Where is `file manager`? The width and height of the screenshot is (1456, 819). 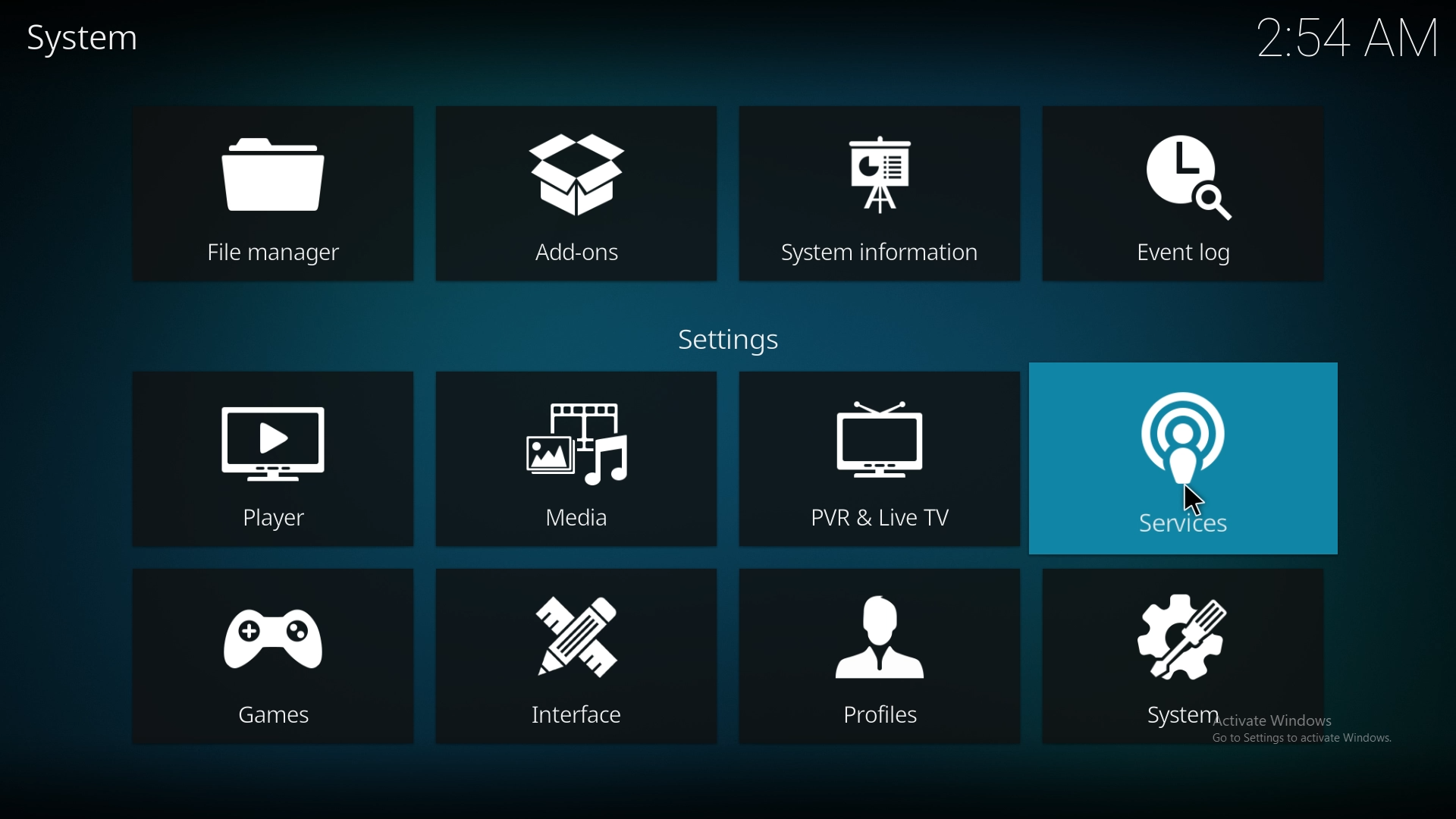 file manager is located at coordinates (283, 190).